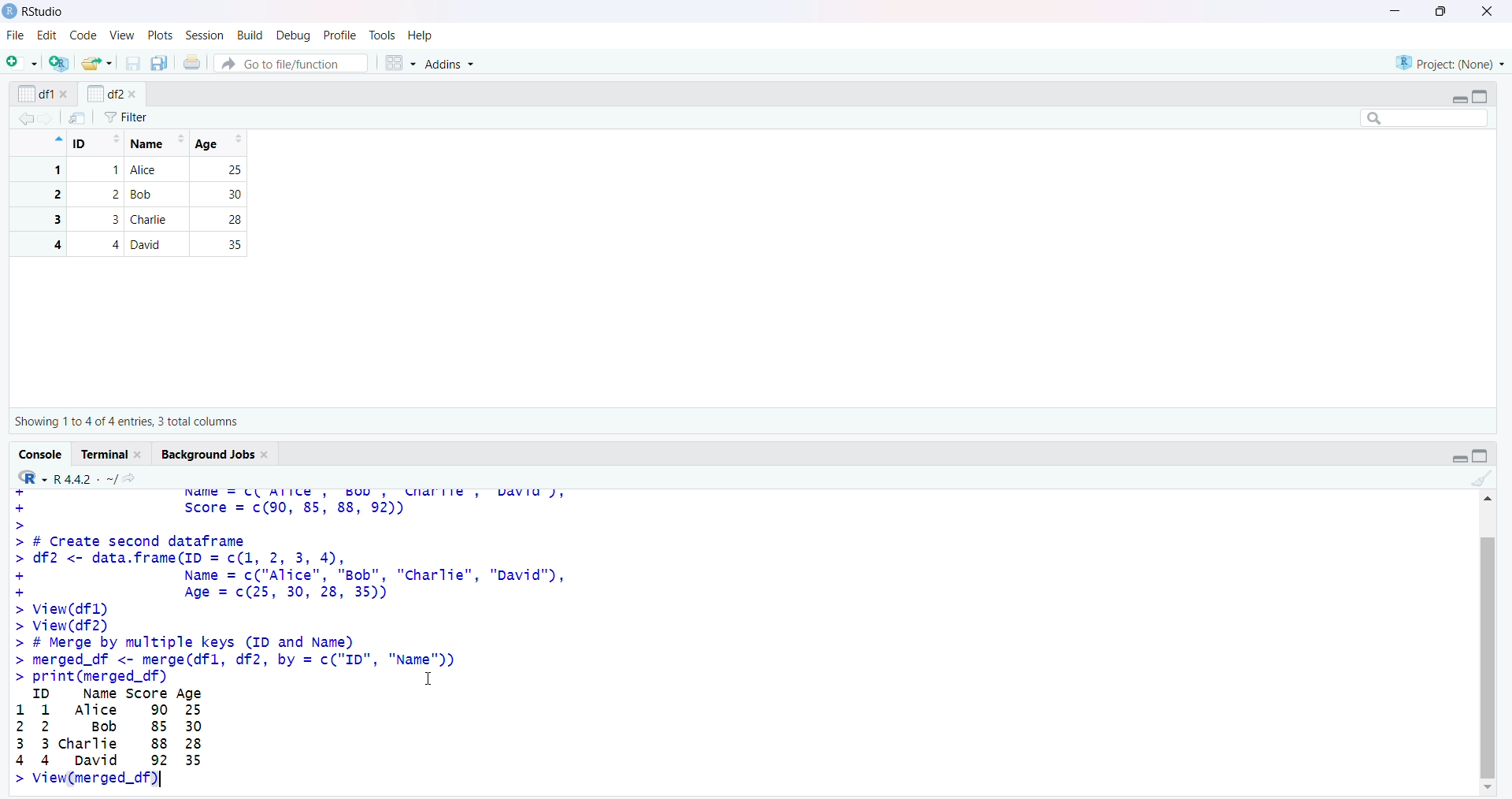 This screenshot has width=1512, height=799. I want to click on scroll up, so click(1487, 498).